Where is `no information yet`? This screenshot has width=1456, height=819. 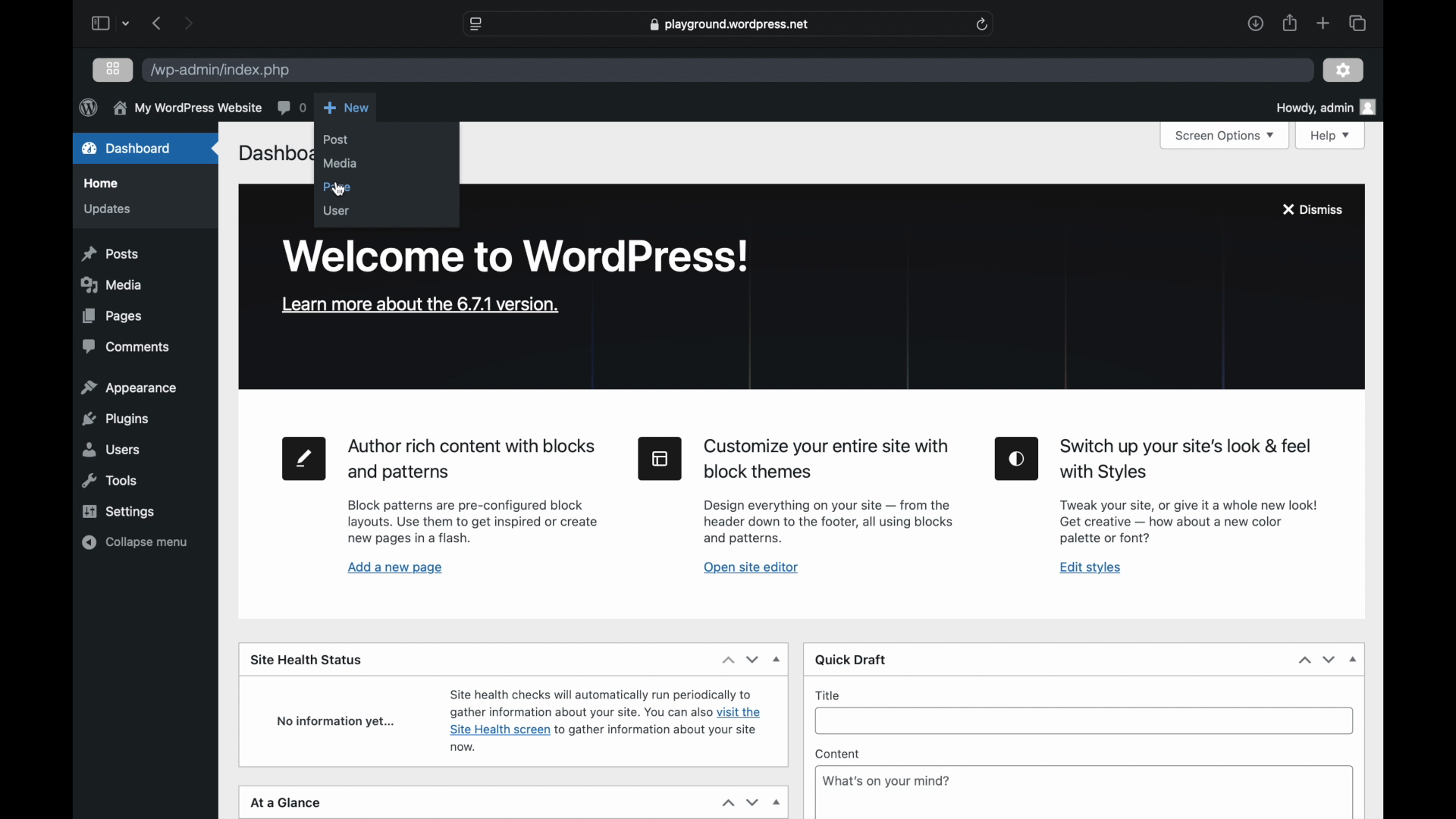
no information yet is located at coordinates (335, 722).